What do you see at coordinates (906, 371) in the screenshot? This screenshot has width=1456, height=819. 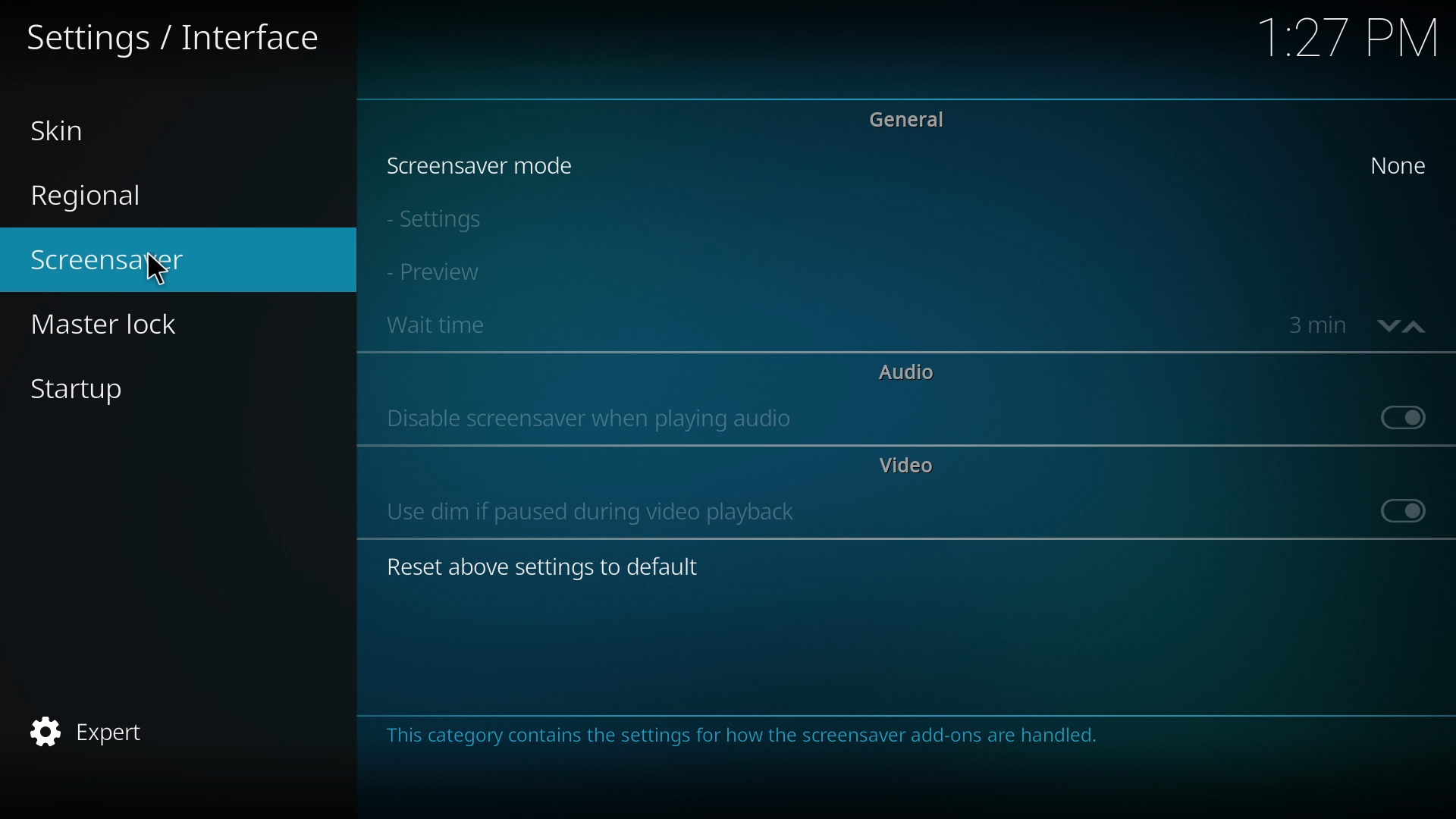 I see `audio` at bounding box center [906, 371].